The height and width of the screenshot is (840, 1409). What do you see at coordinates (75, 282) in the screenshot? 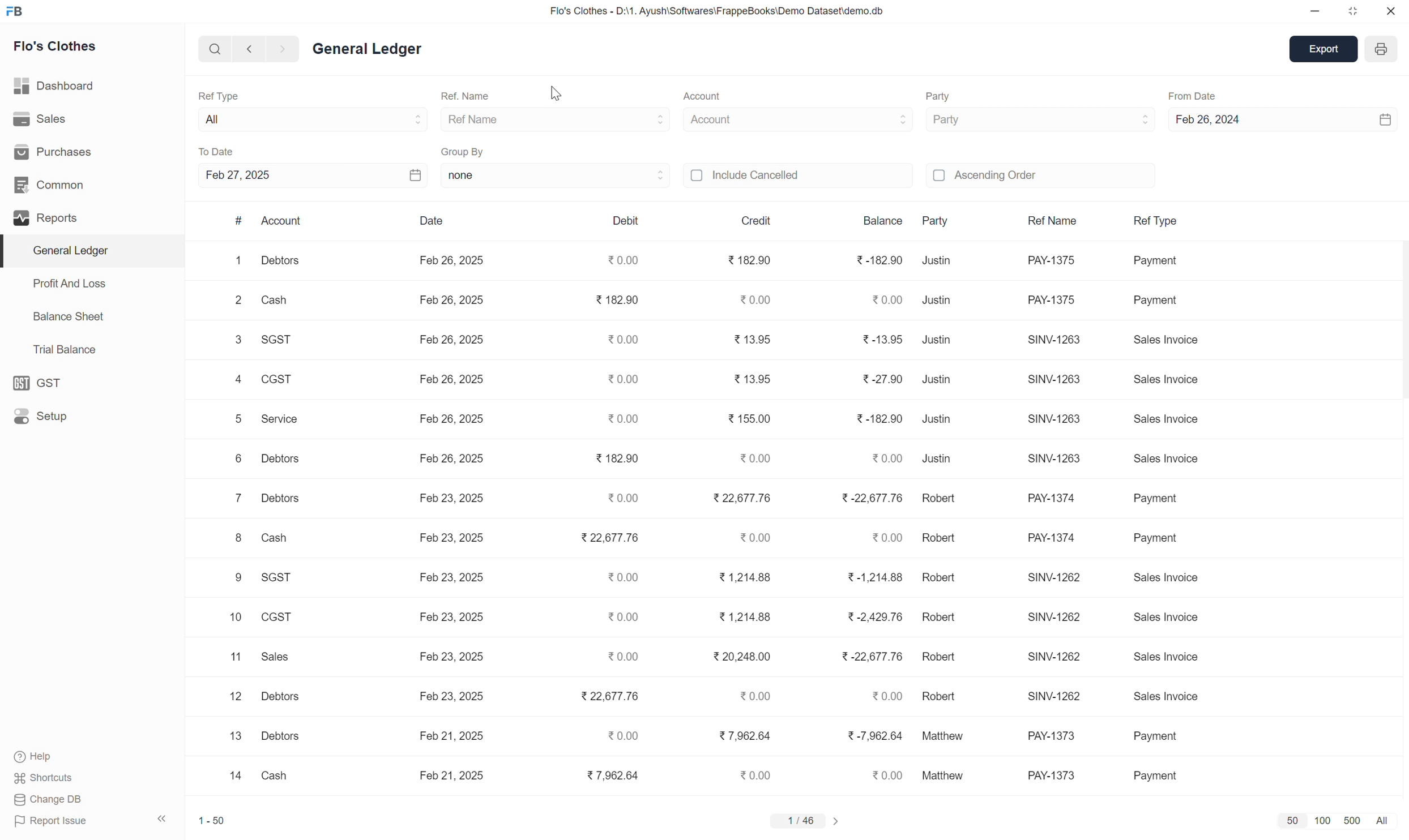
I see `profit and loss` at bounding box center [75, 282].